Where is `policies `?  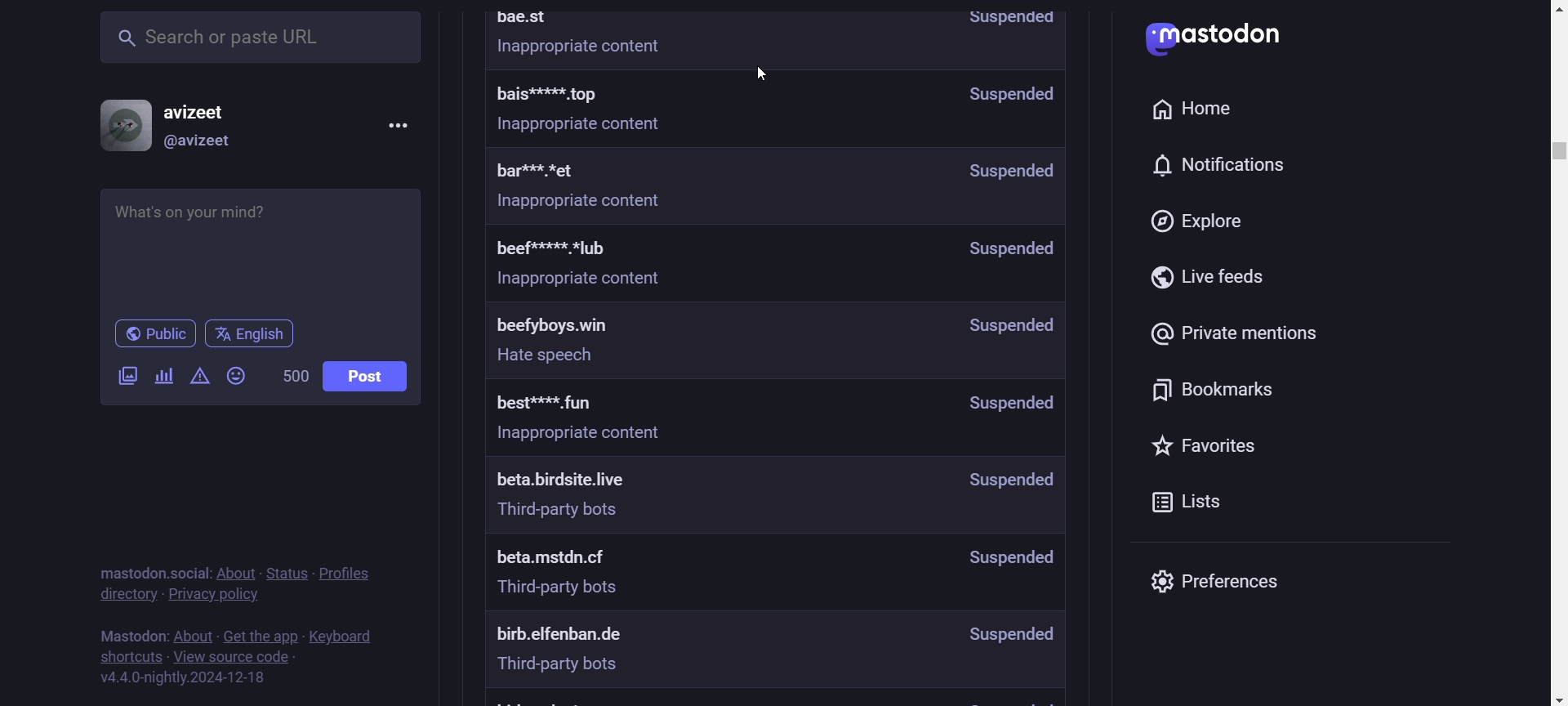 policies  is located at coordinates (354, 565).